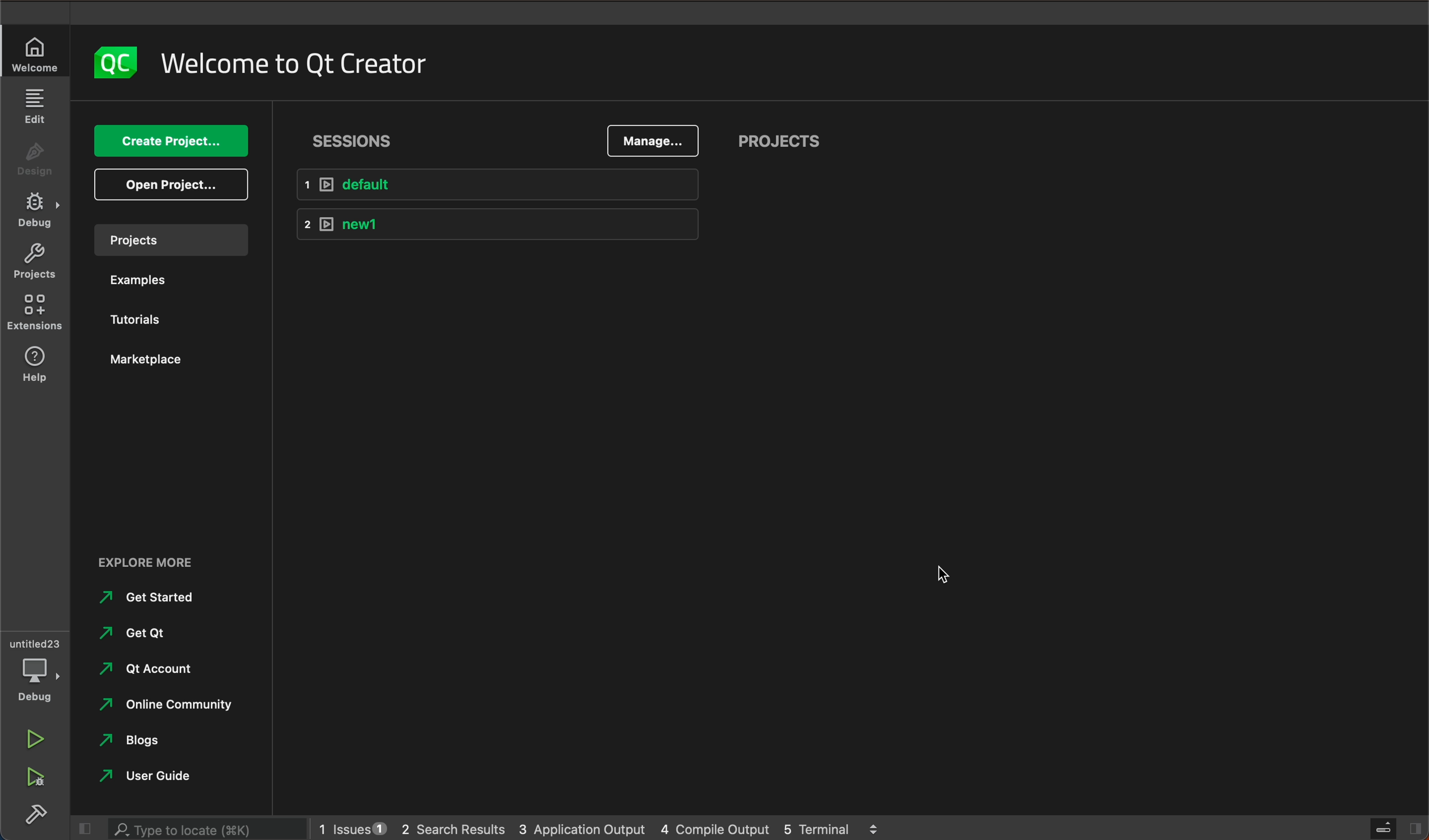  Describe the element at coordinates (942, 572) in the screenshot. I see `cursor` at that location.